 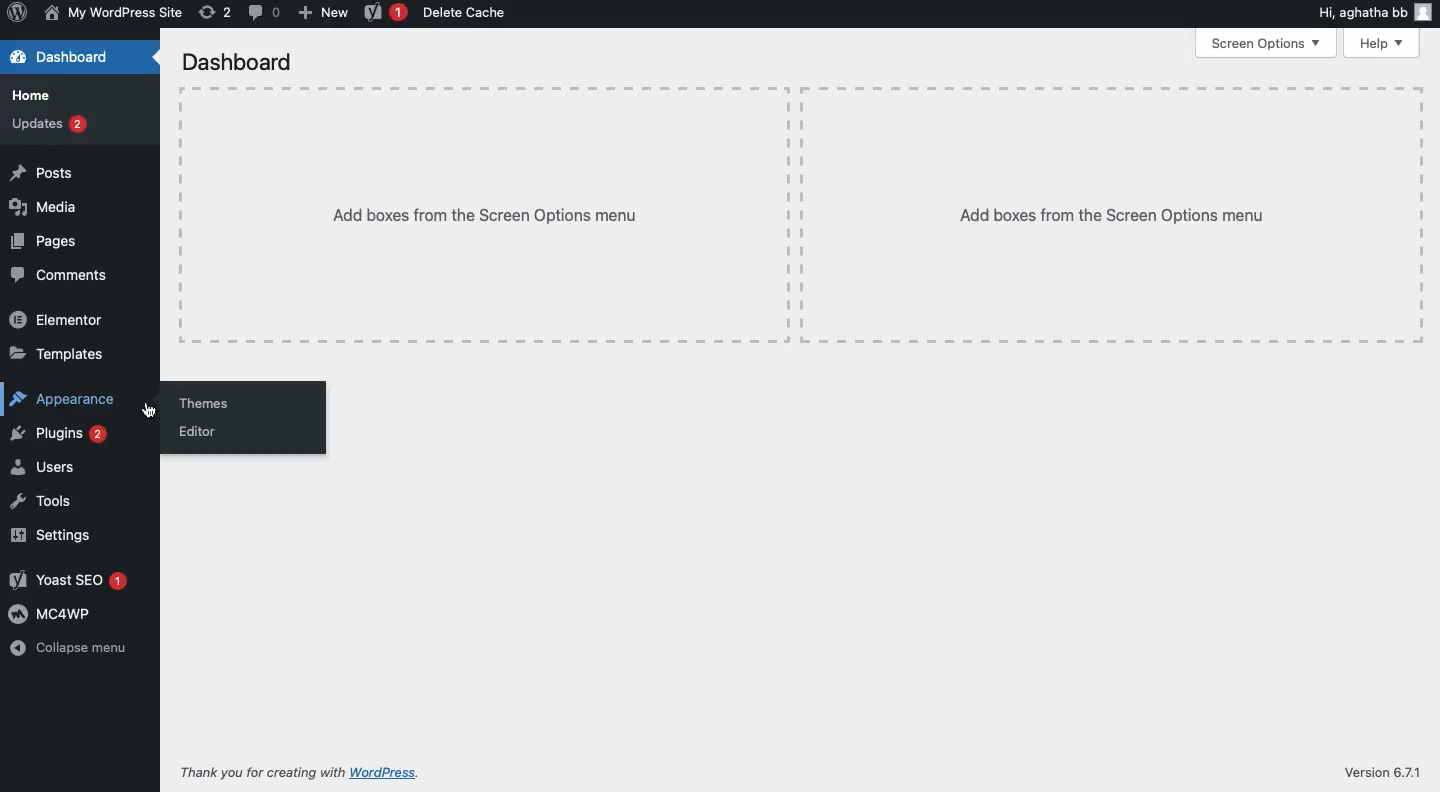 I want to click on Settings, so click(x=51, y=537).